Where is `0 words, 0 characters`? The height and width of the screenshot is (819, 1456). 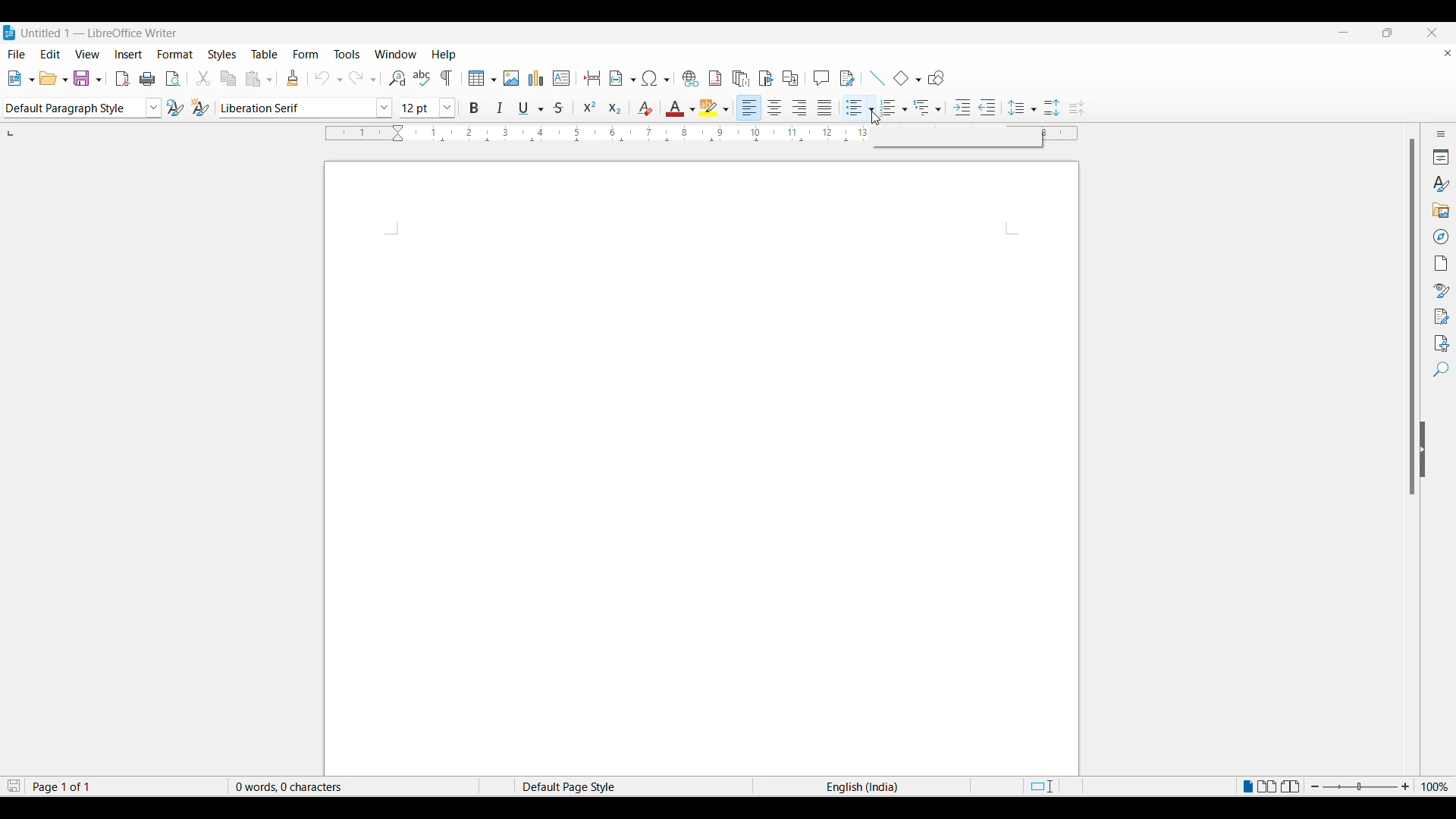 0 words, 0 characters is located at coordinates (292, 786).